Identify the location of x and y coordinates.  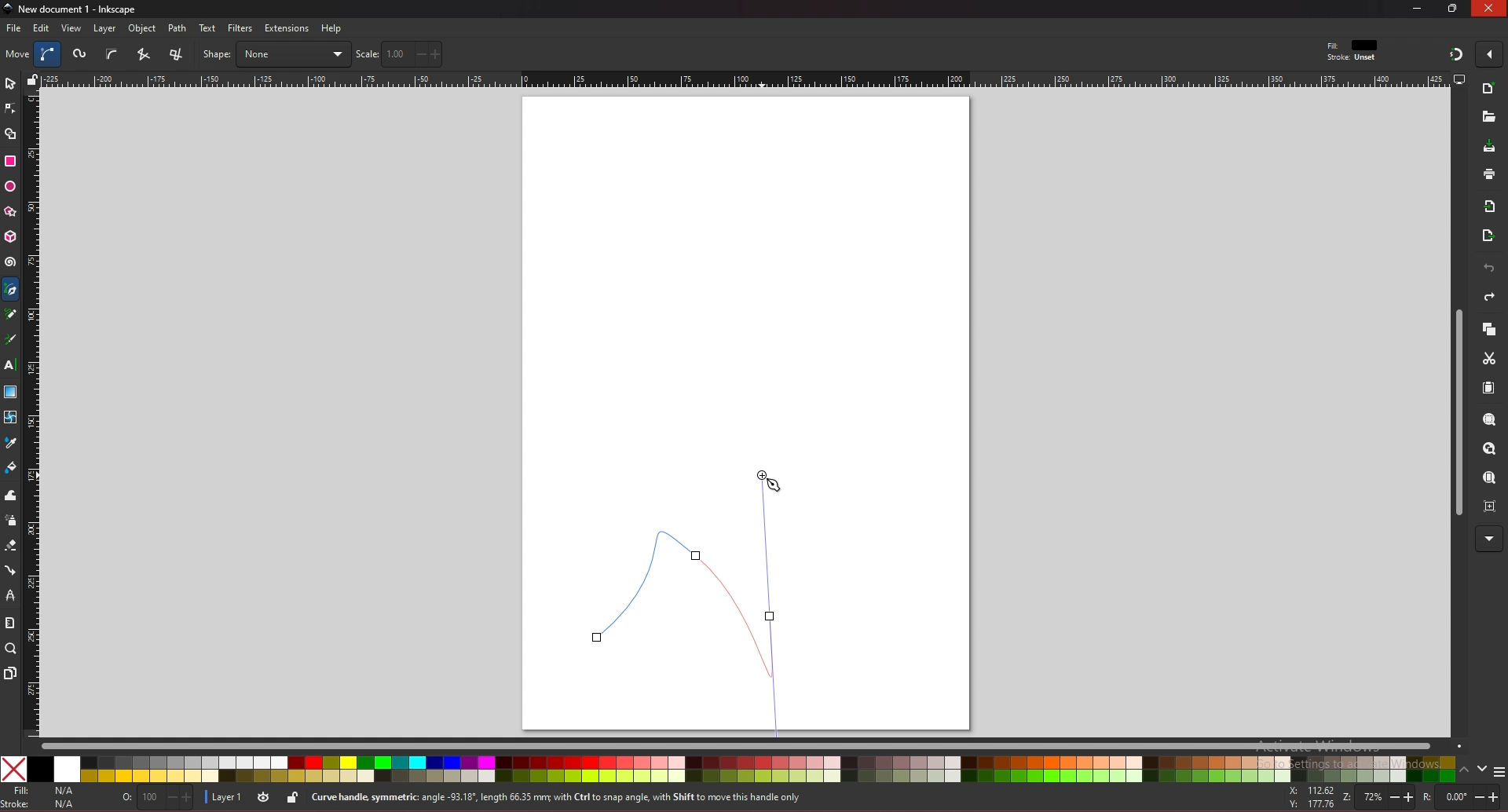
(1310, 797).